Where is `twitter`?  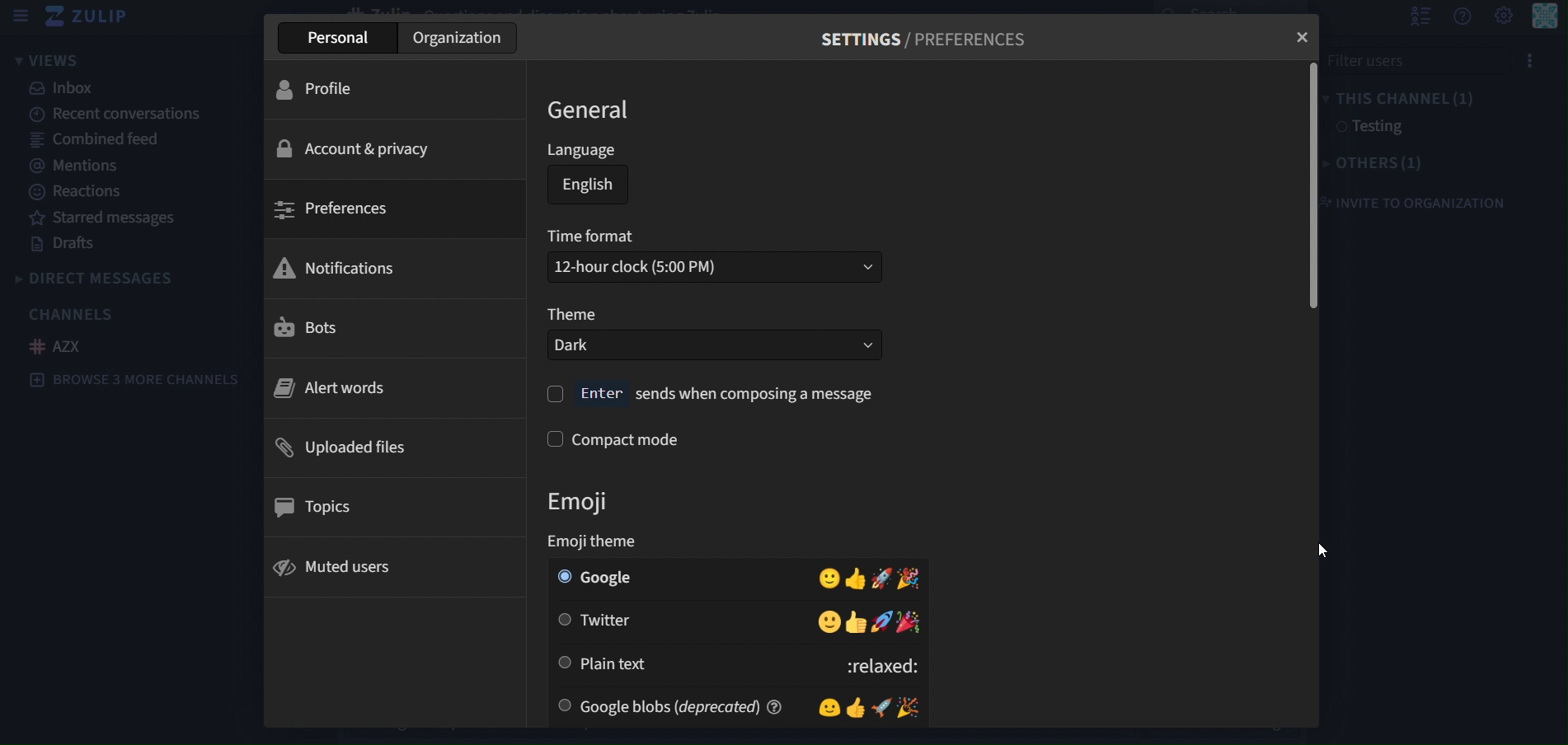 twitter is located at coordinates (682, 619).